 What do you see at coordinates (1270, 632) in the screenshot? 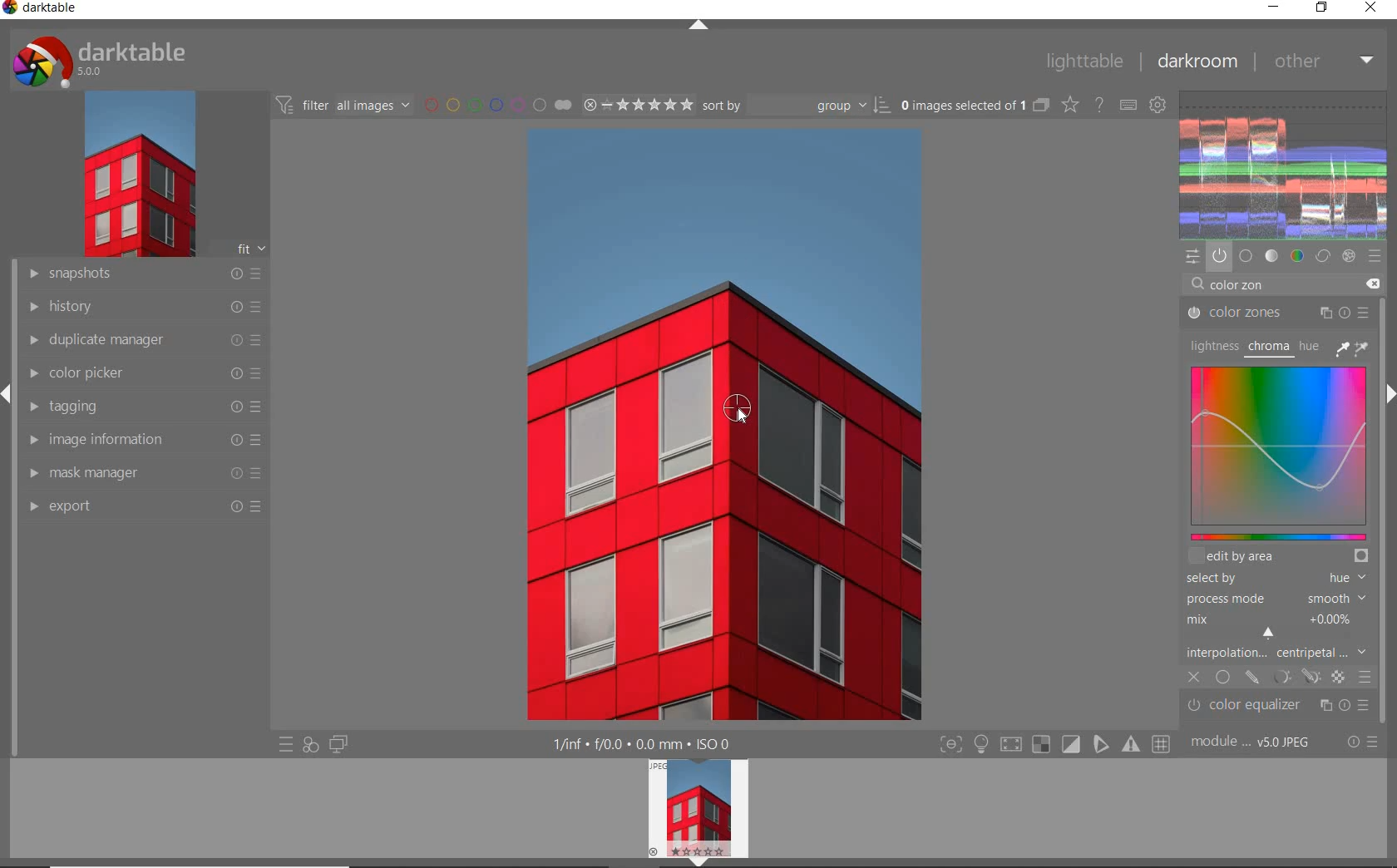
I see `CURSOR POSITION` at bounding box center [1270, 632].